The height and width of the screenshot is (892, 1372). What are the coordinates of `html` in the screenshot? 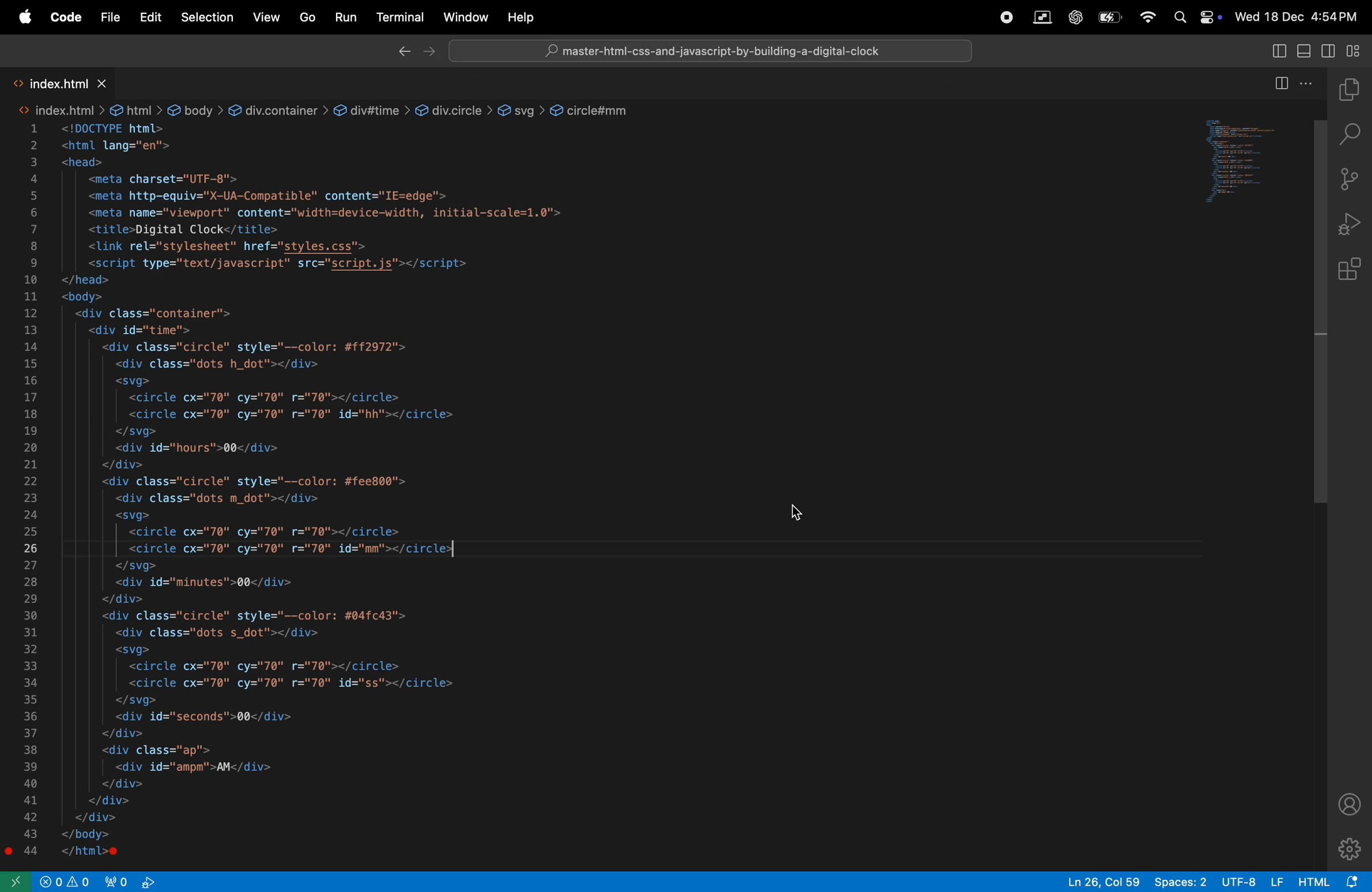 It's located at (1332, 880).